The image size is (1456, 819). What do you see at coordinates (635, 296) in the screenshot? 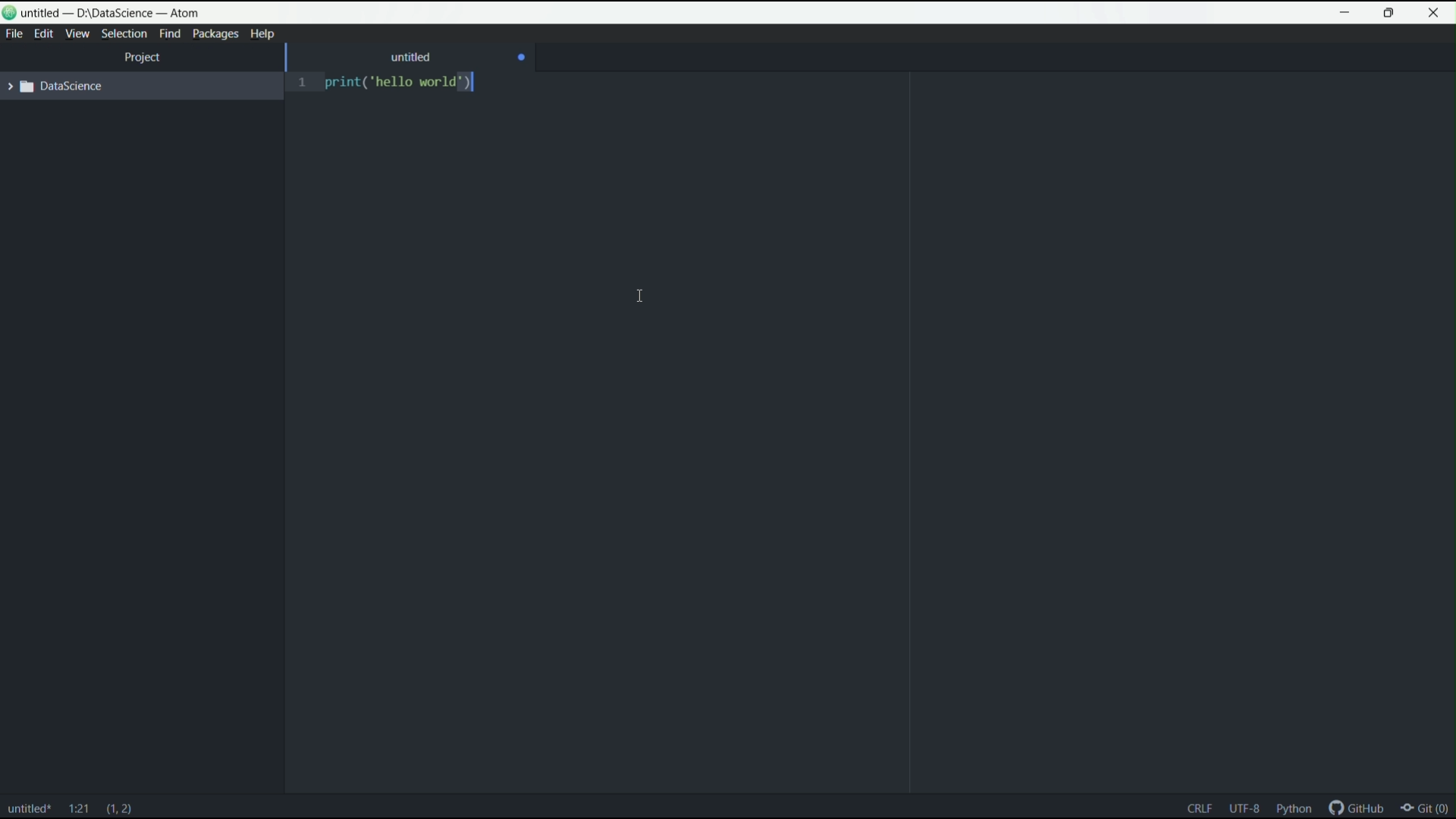
I see `cursor` at bounding box center [635, 296].